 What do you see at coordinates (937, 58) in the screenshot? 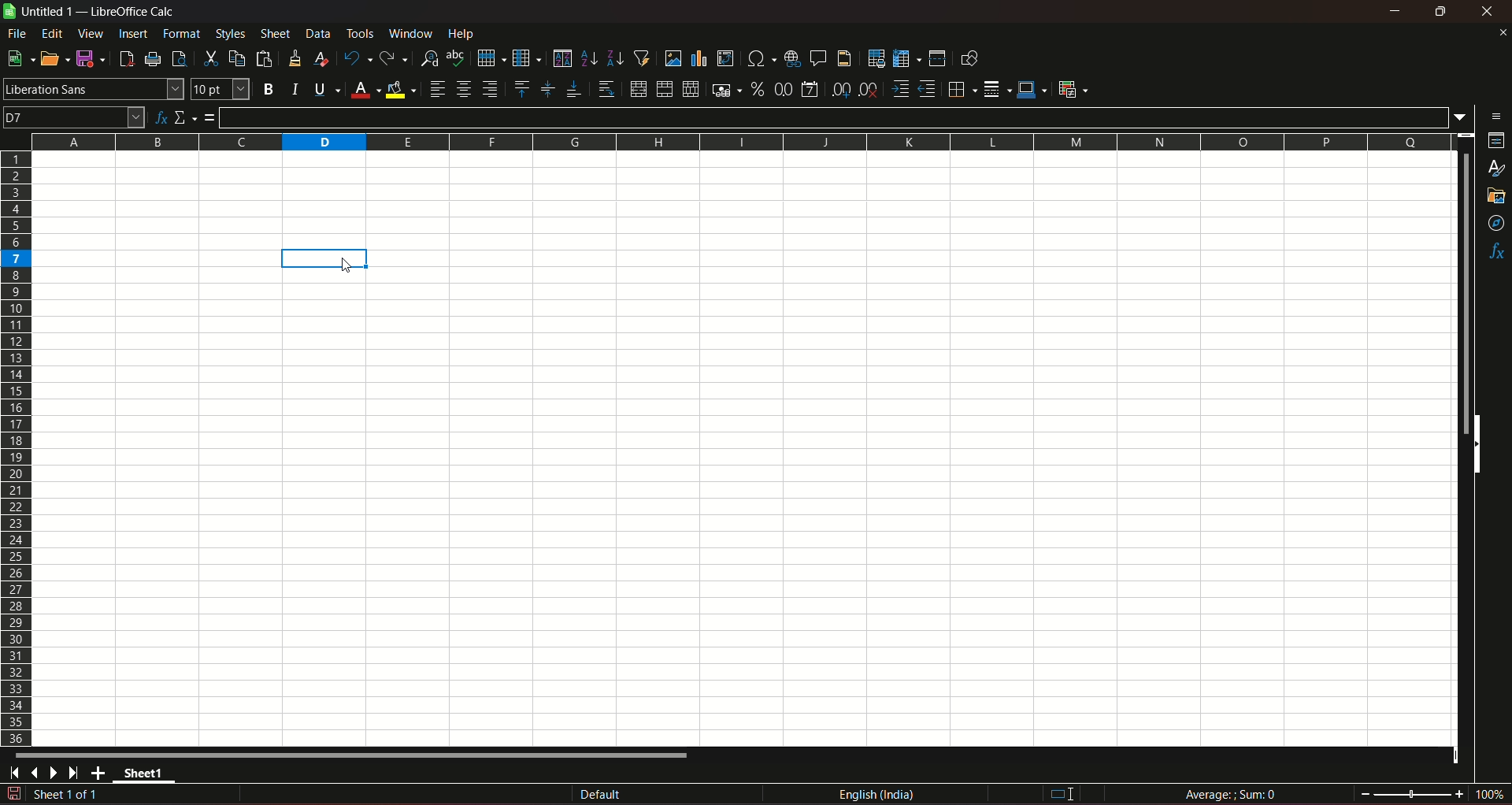
I see `split window` at bounding box center [937, 58].